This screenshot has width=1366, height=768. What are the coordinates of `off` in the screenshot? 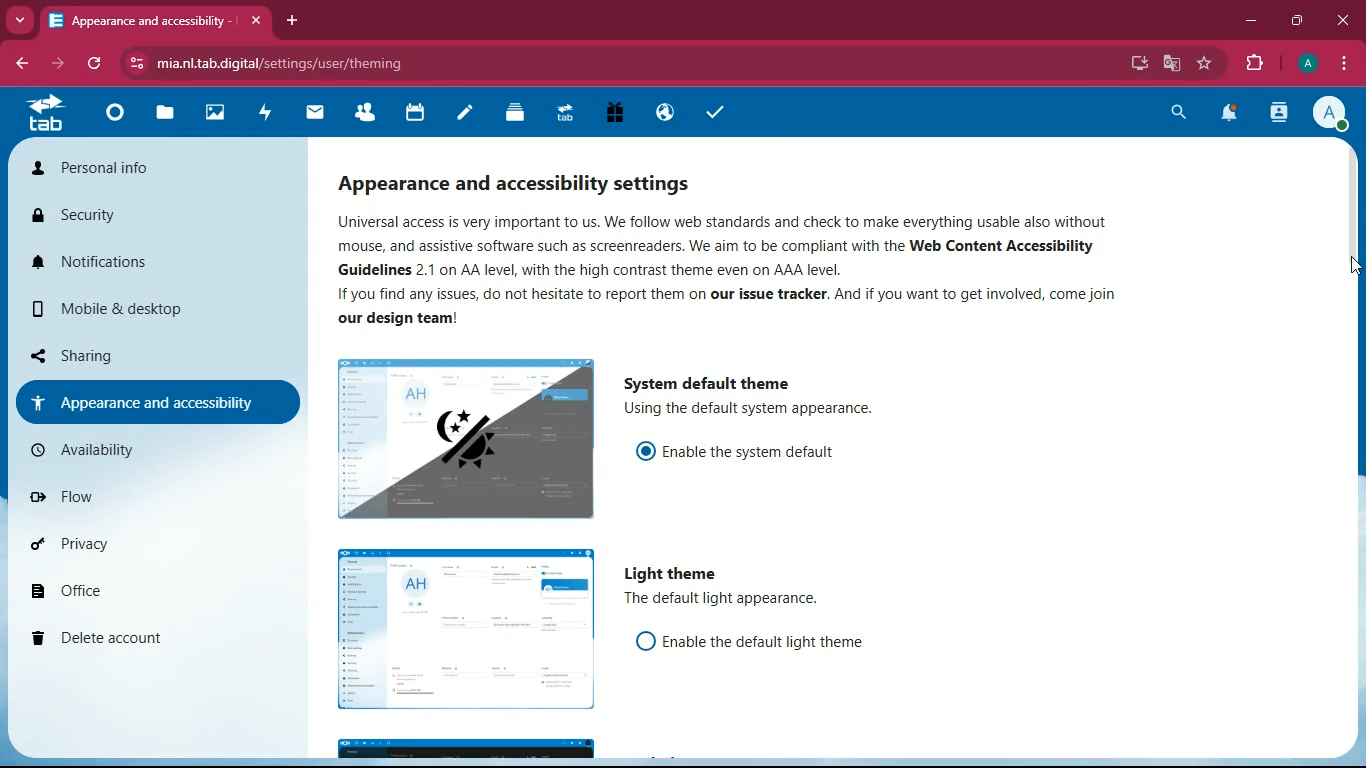 It's located at (647, 642).